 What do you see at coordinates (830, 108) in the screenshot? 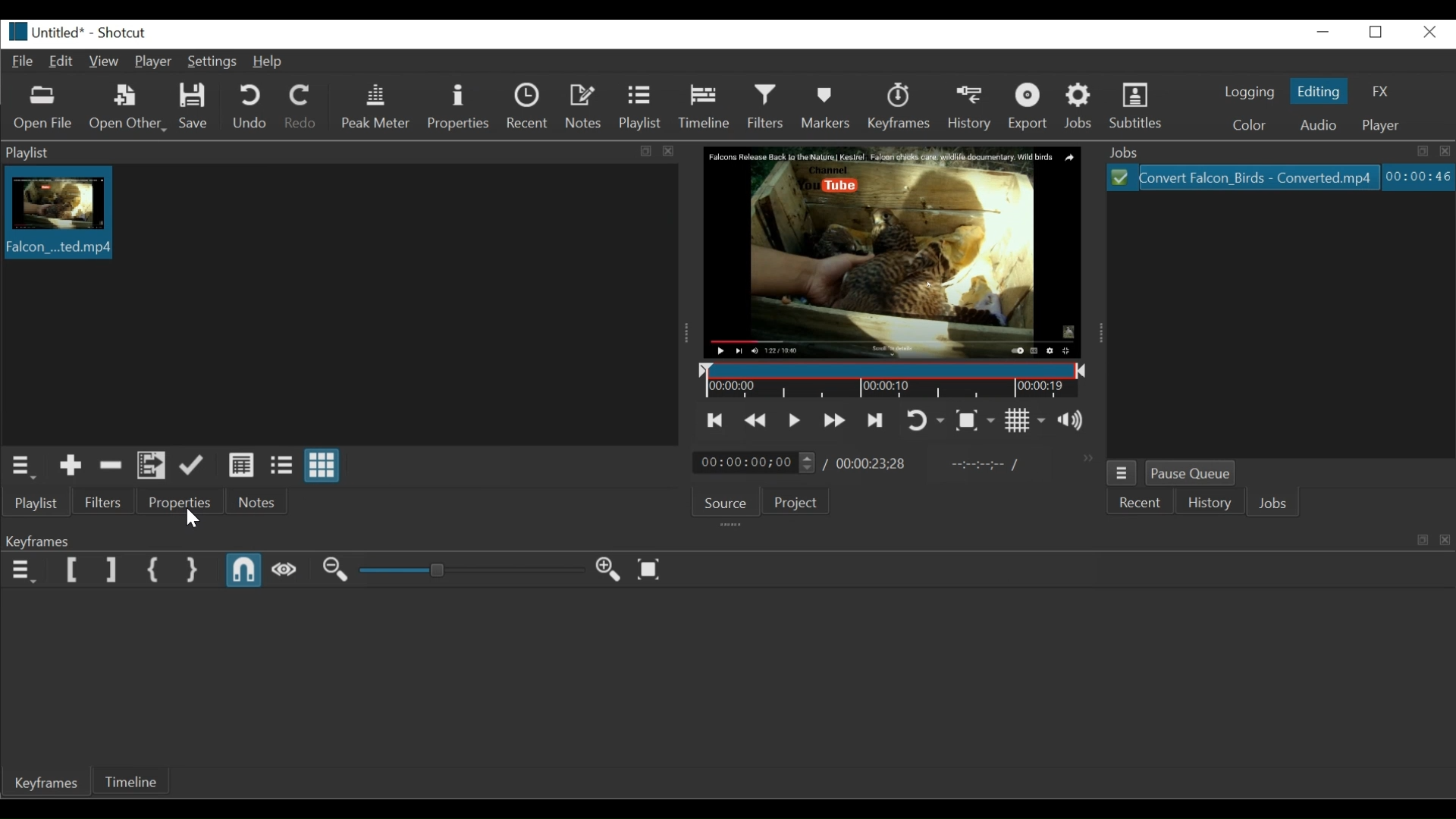
I see `Markers` at bounding box center [830, 108].